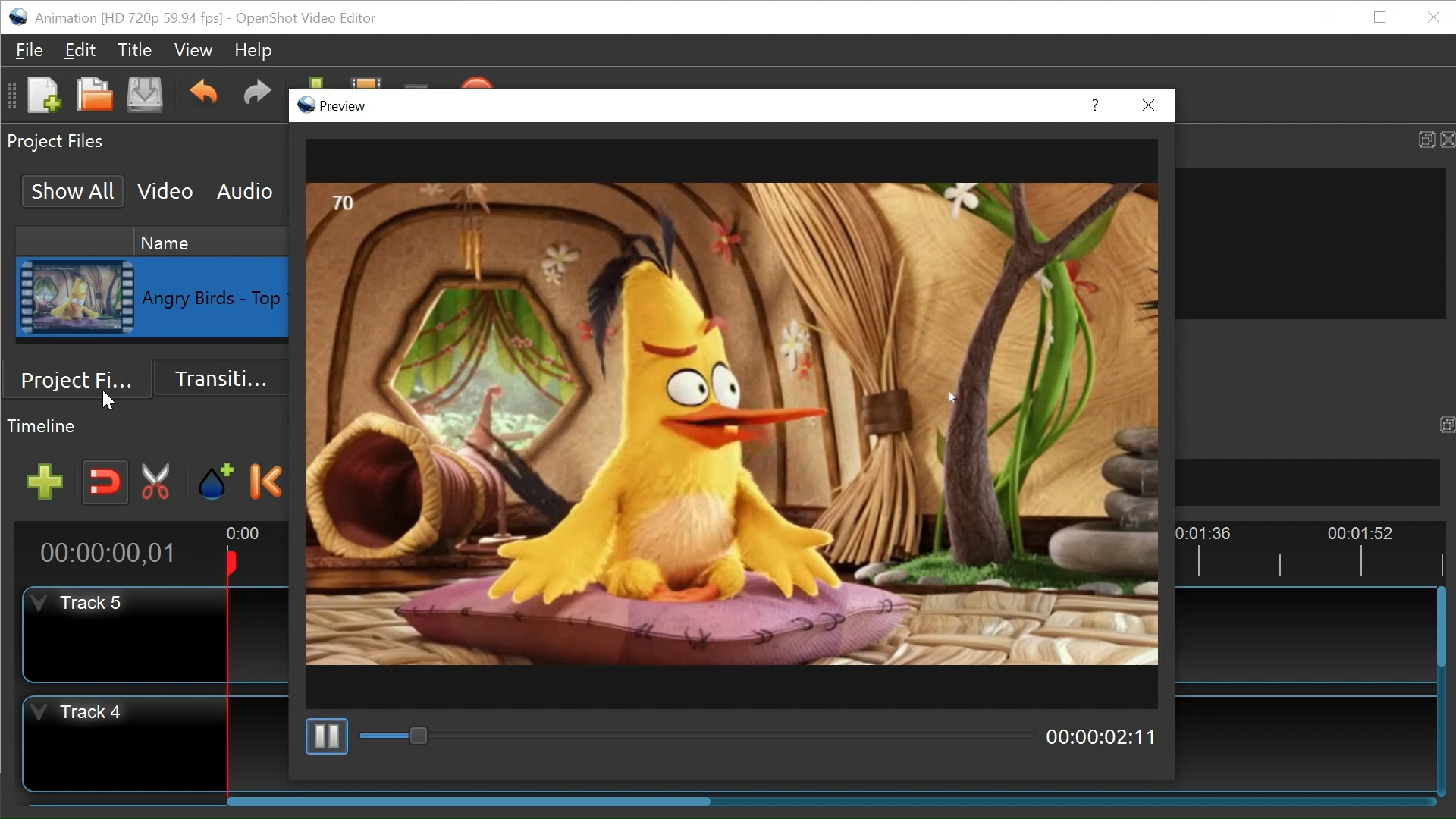 This screenshot has height=819, width=1456. Describe the element at coordinates (30, 50) in the screenshot. I see `File` at that location.